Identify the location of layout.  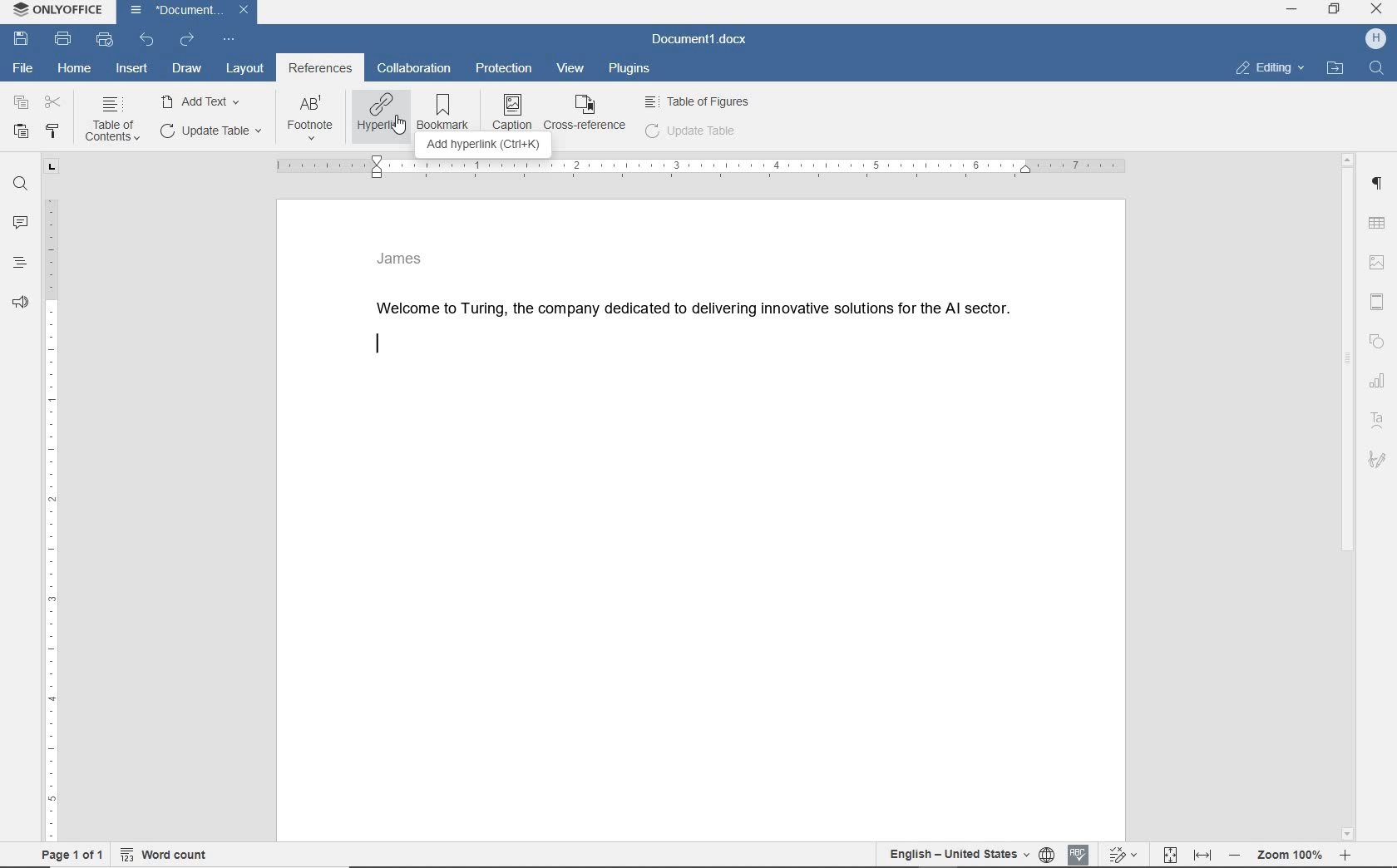
(244, 67).